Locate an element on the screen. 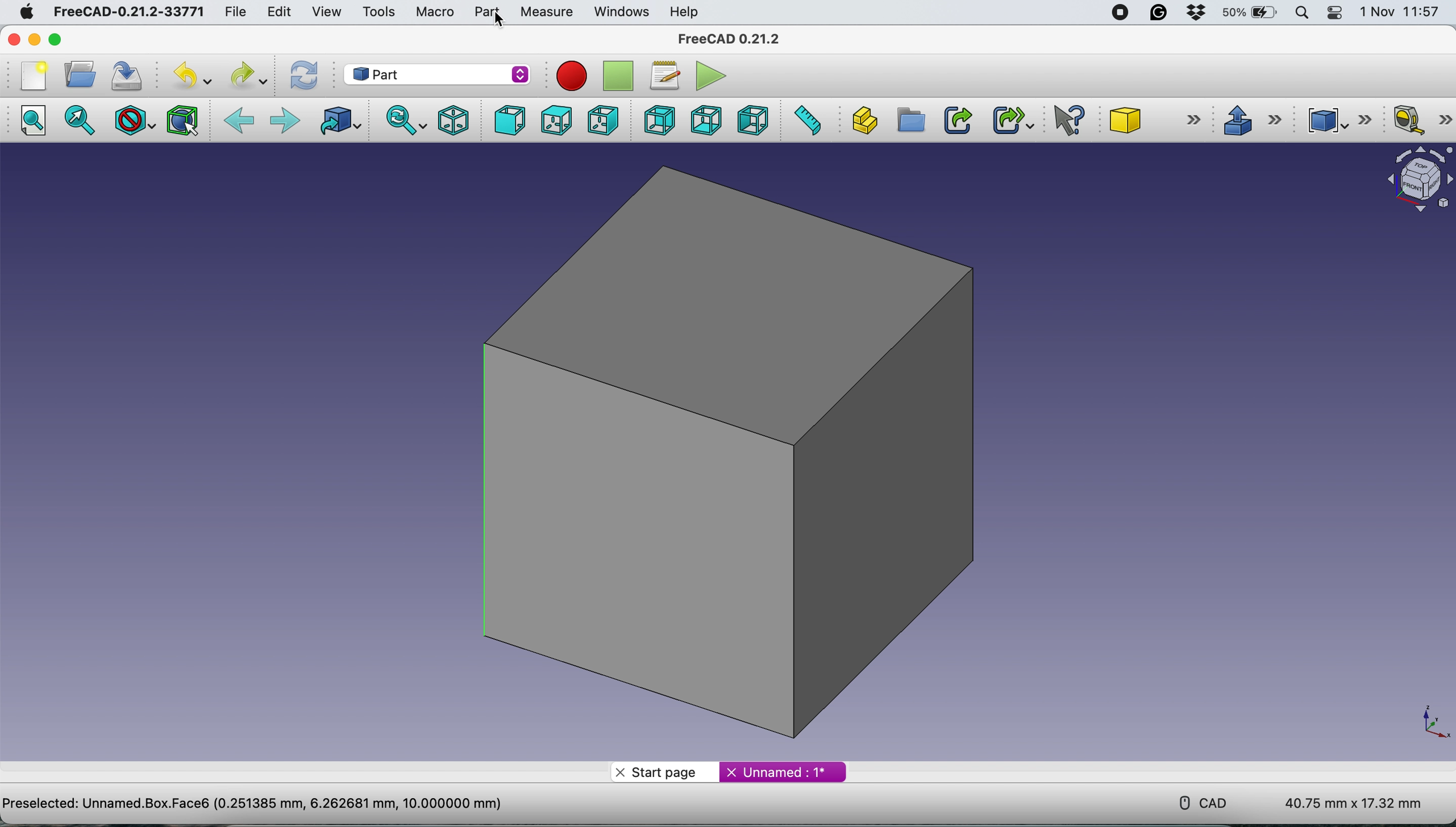 The height and width of the screenshot is (827, 1456). save is located at coordinates (131, 75).